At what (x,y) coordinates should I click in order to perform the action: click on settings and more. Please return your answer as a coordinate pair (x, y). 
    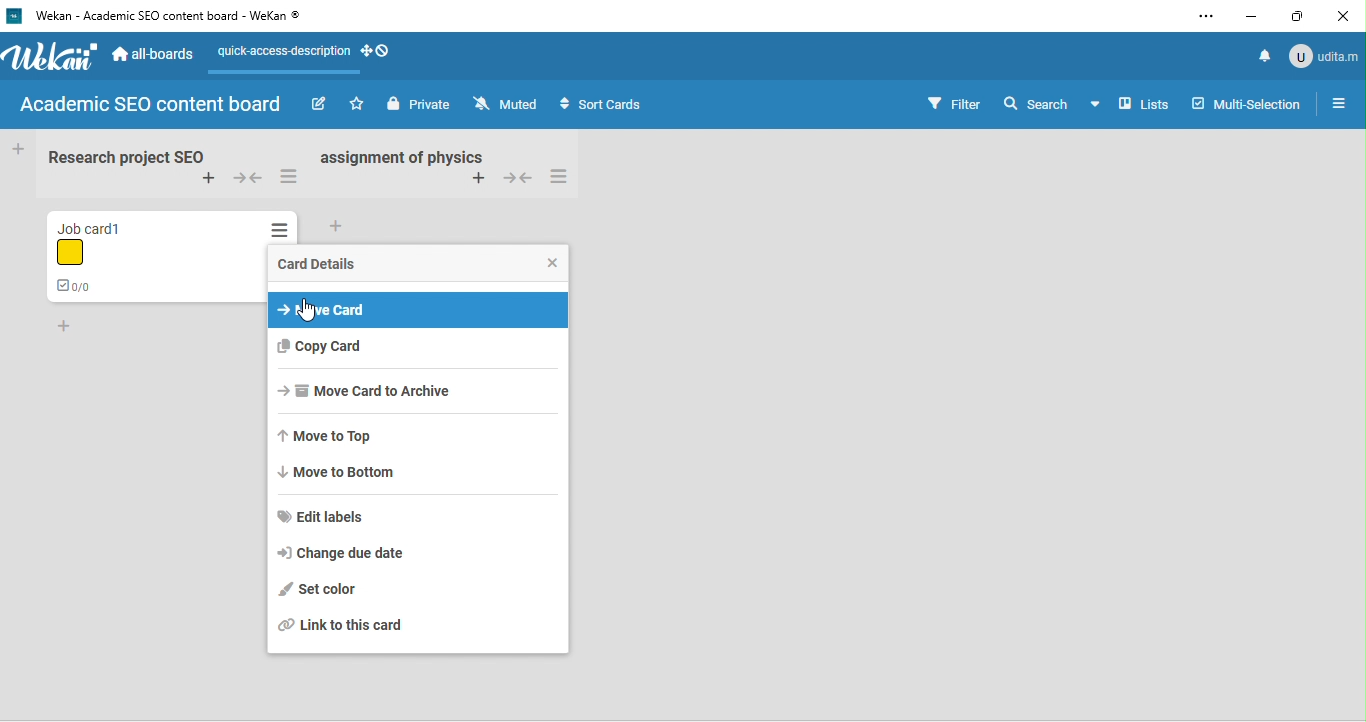
    Looking at the image, I should click on (1205, 16).